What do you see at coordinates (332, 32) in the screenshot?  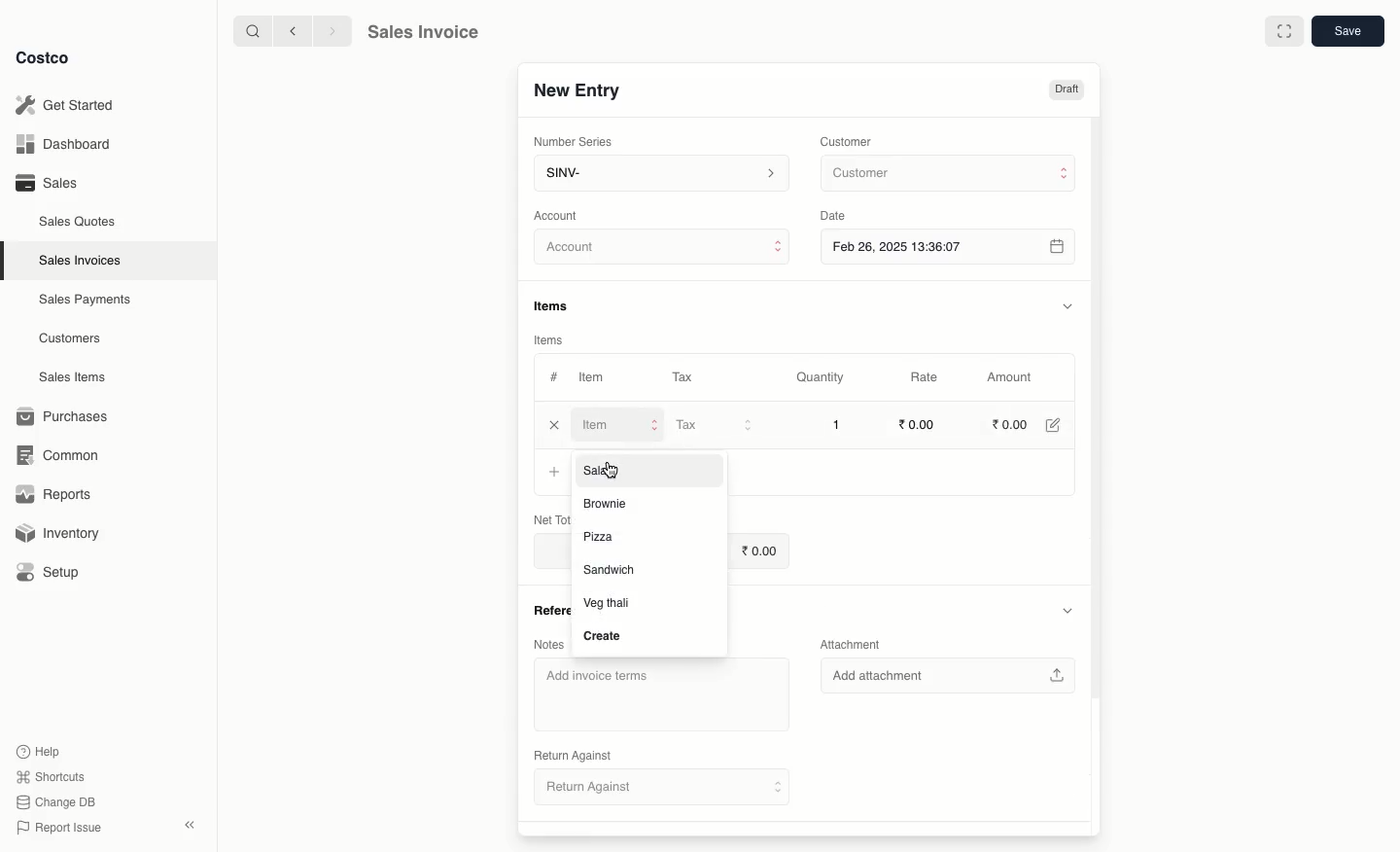 I see `Forward` at bounding box center [332, 32].